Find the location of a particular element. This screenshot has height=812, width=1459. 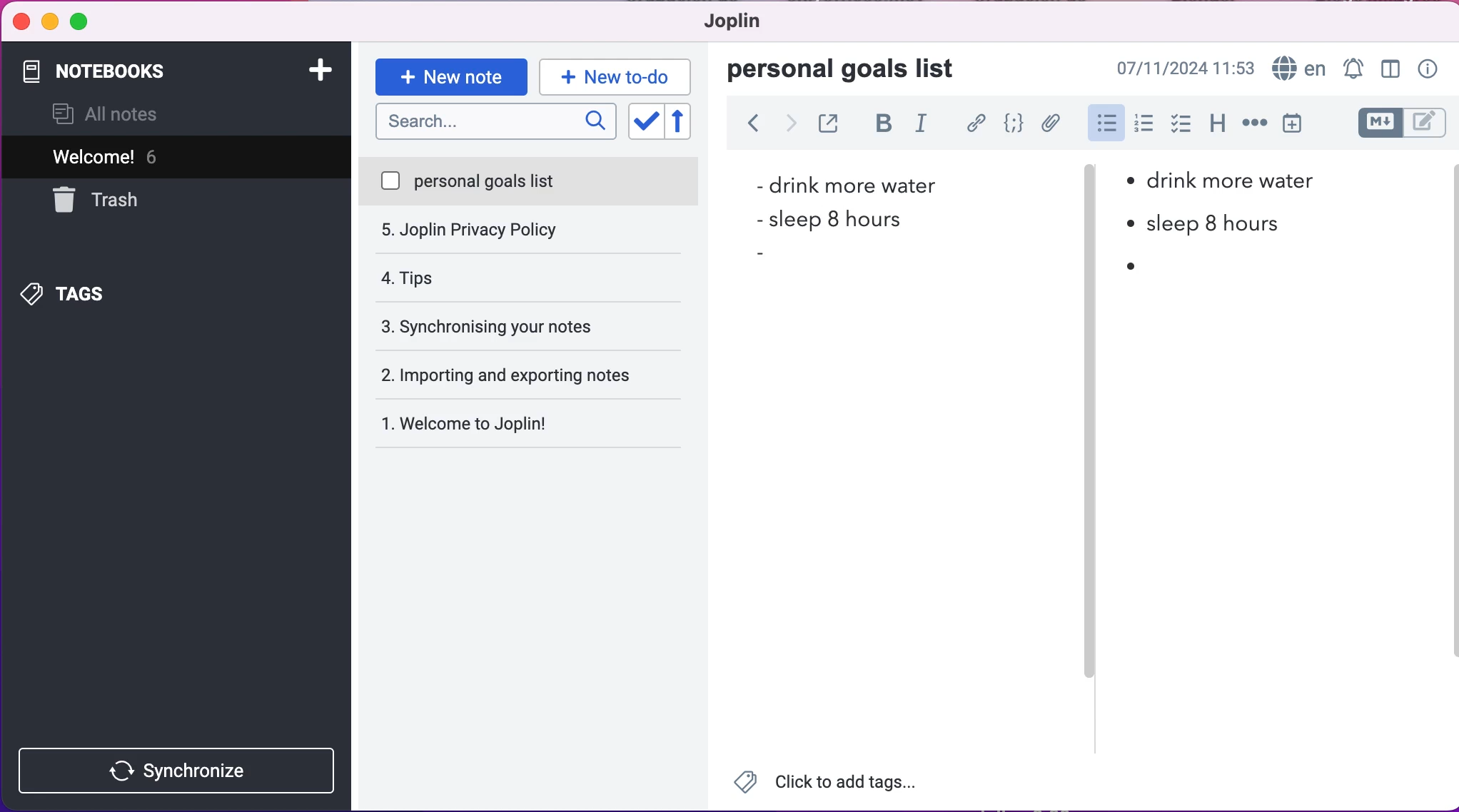

Sleep 8 hours is located at coordinates (838, 218).